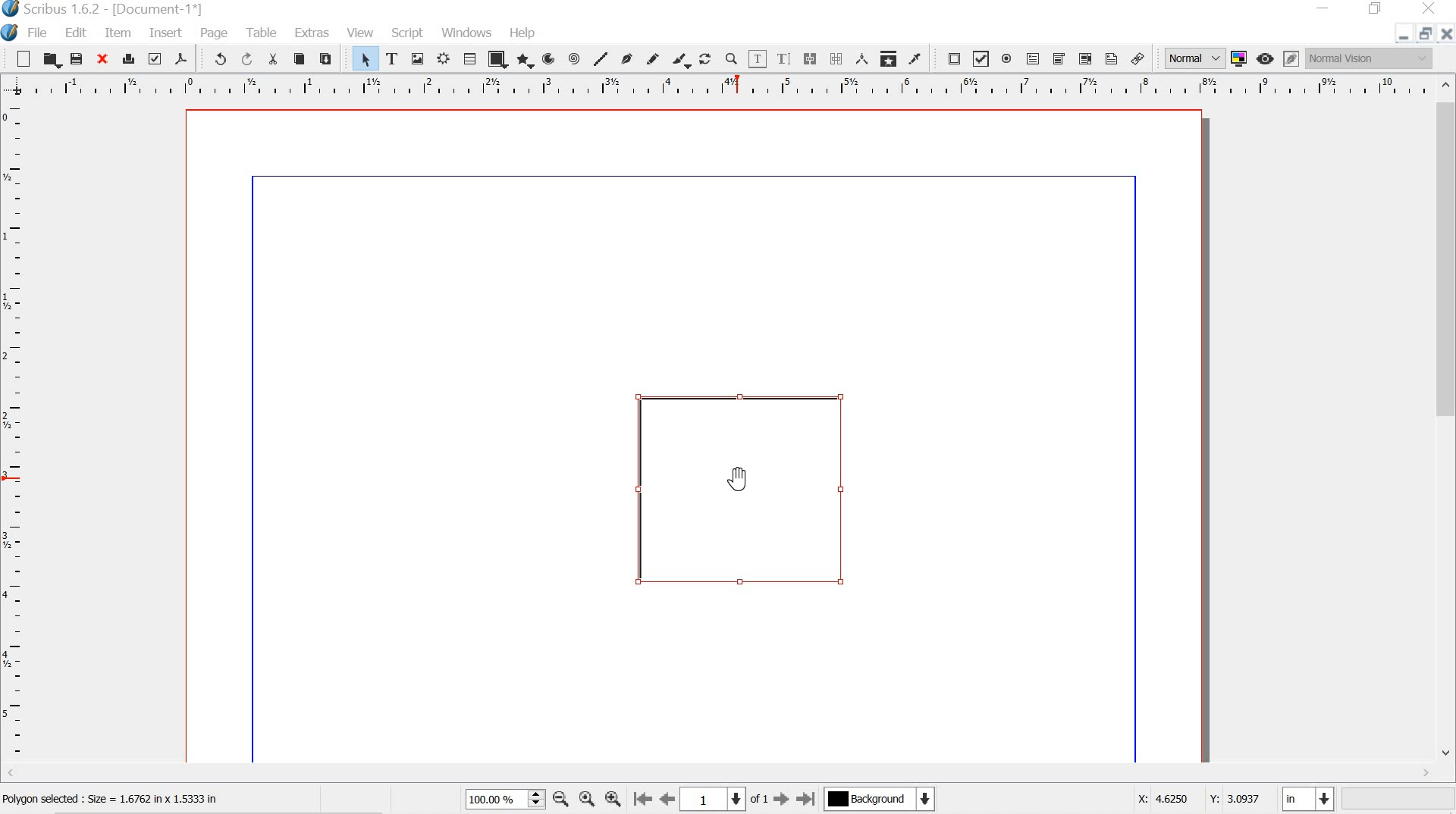  Describe the element at coordinates (1197, 800) in the screenshot. I see `X: 4.6250 Y: 3.0937` at that location.